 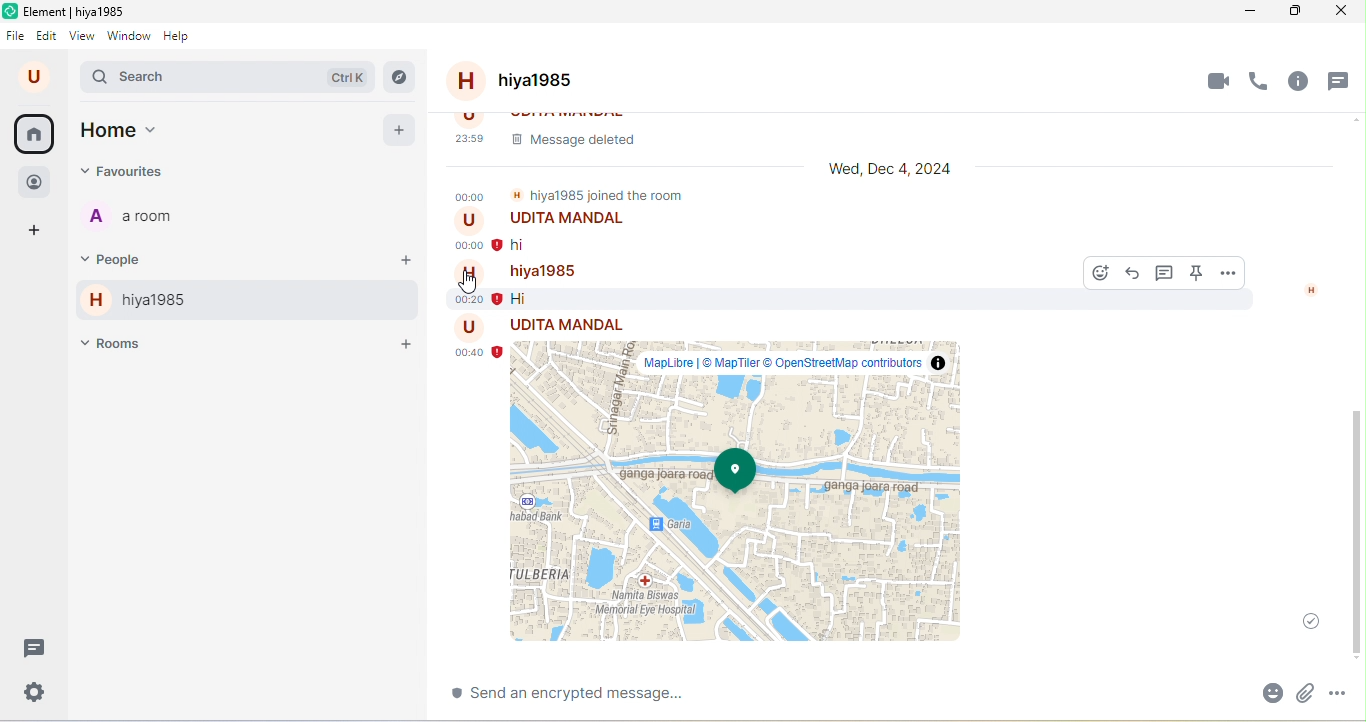 What do you see at coordinates (1215, 80) in the screenshot?
I see `video call` at bounding box center [1215, 80].